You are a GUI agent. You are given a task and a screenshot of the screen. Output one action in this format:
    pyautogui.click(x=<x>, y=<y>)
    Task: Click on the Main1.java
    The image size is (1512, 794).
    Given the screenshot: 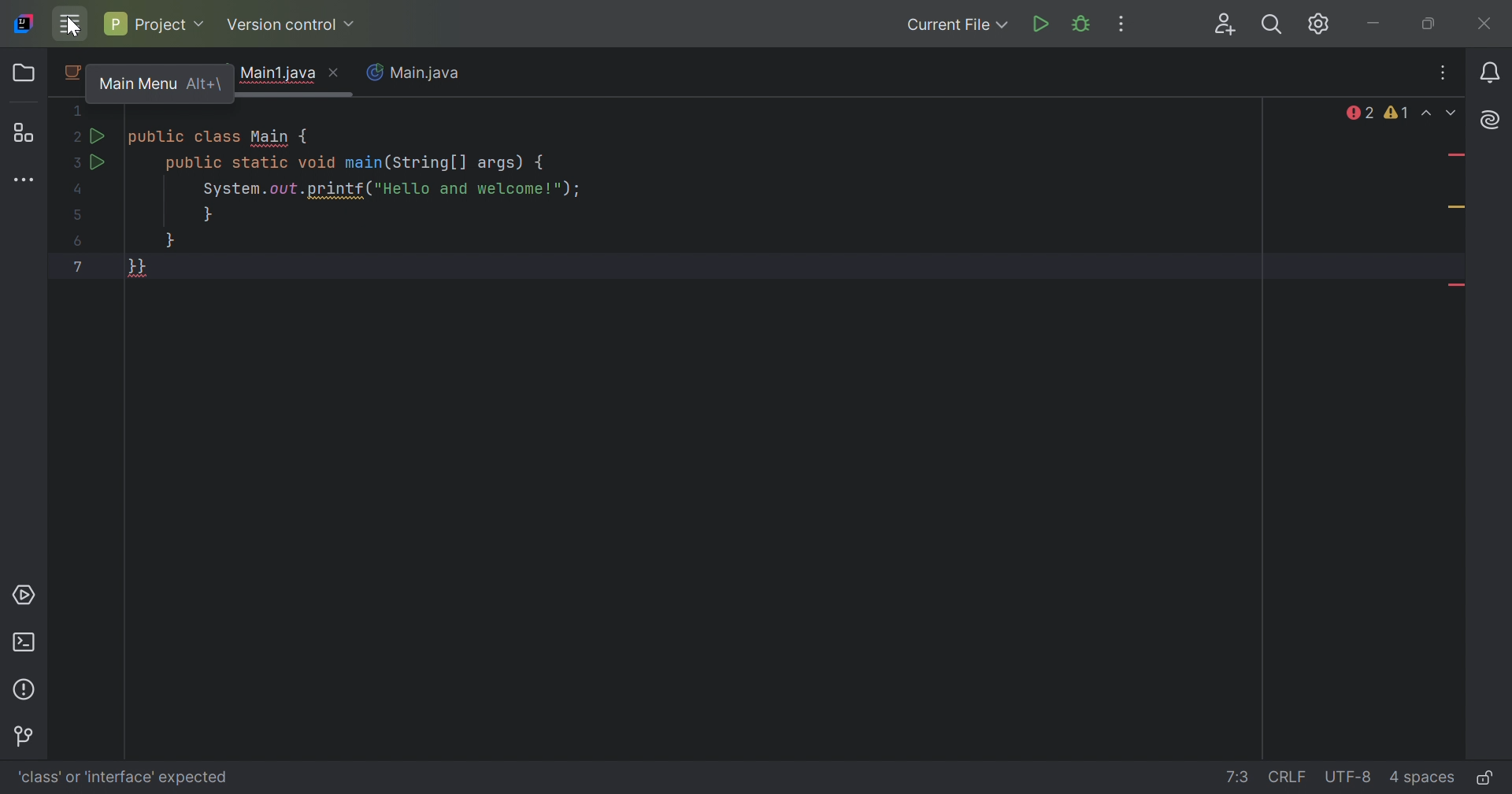 What is the action you would take?
    pyautogui.click(x=275, y=73)
    